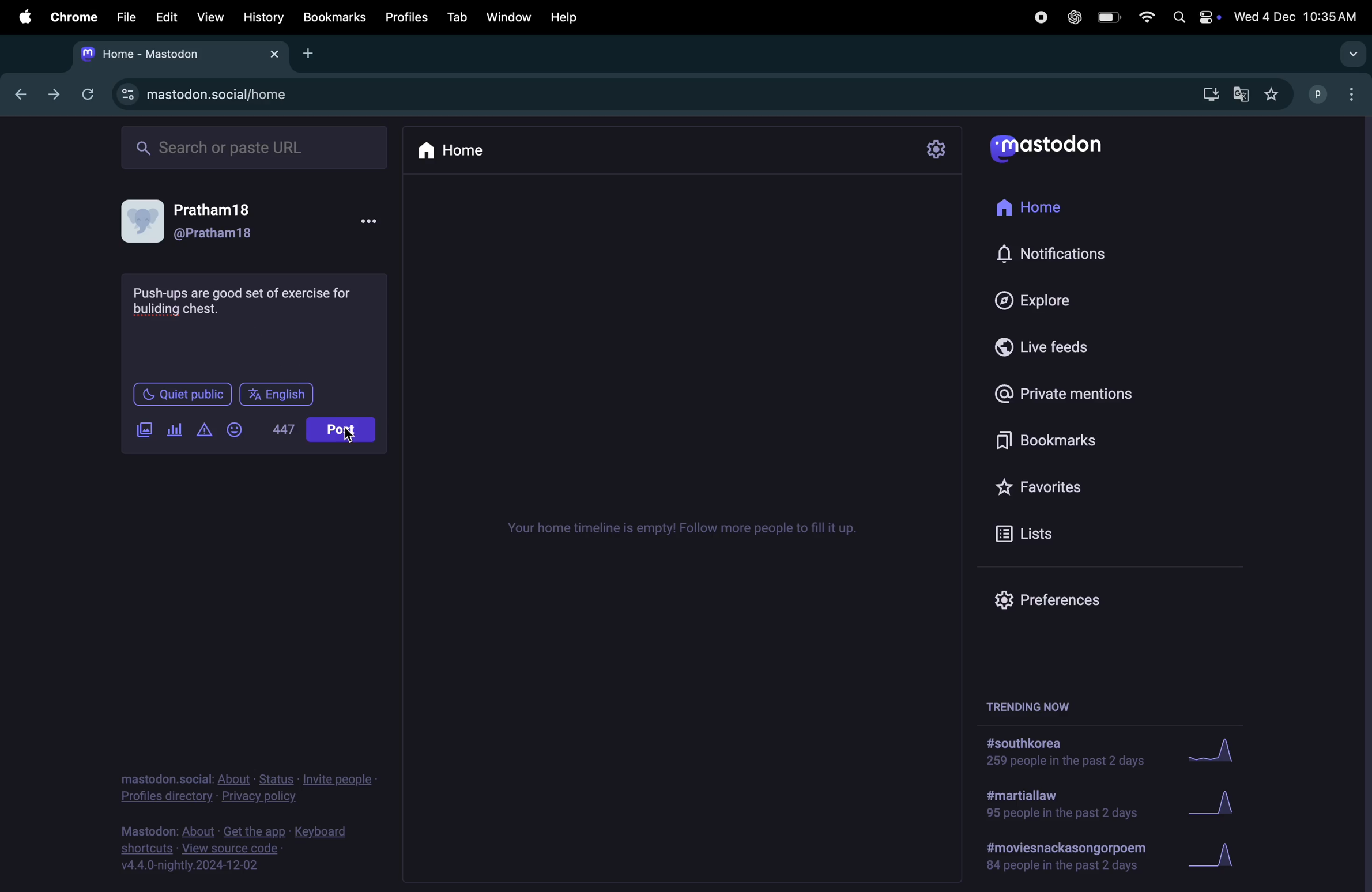 This screenshot has height=892, width=1372. Describe the element at coordinates (239, 848) in the screenshot. I see `source code description` at that location.